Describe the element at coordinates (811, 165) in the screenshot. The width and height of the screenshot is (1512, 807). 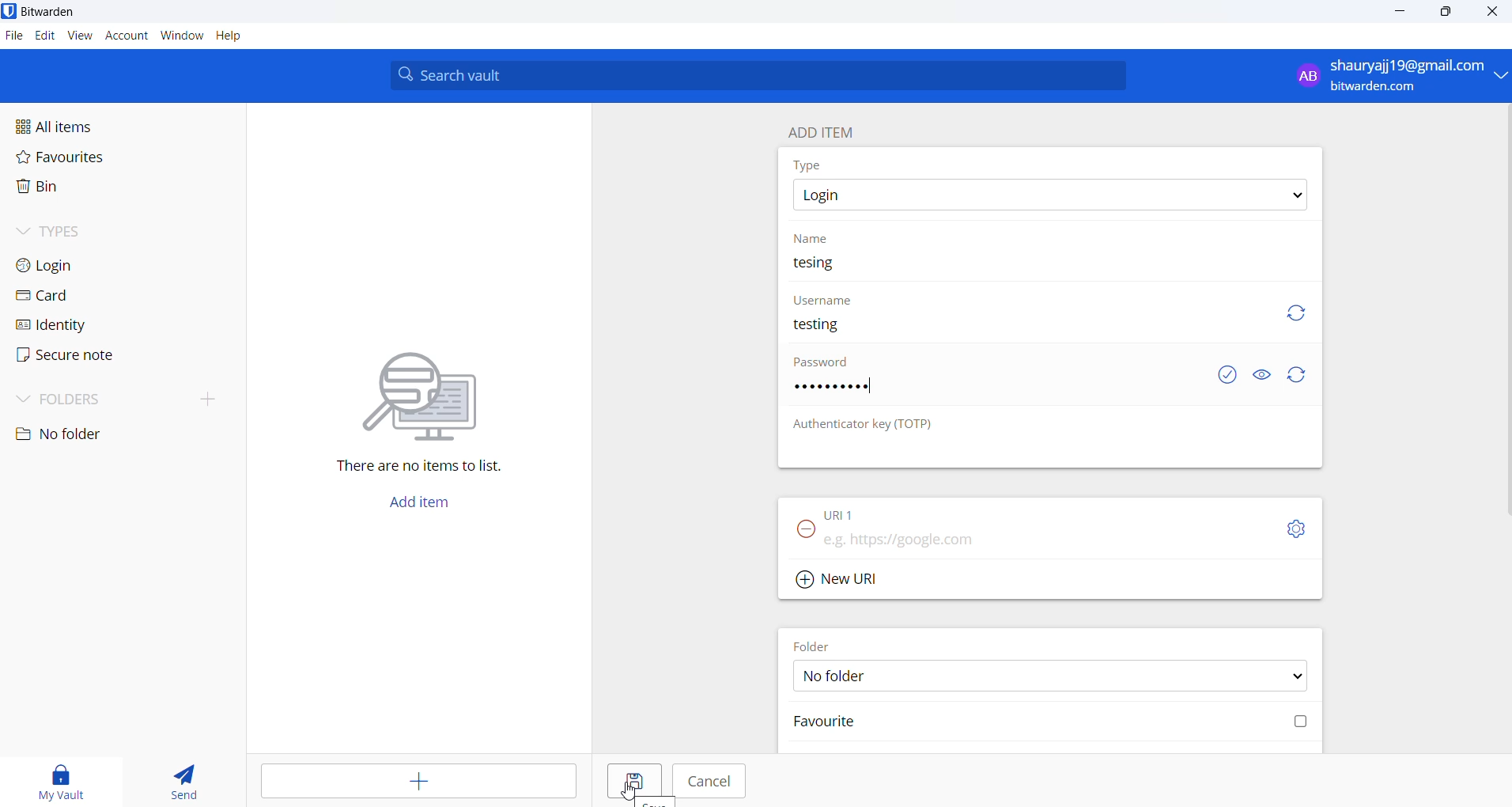
I see `Type` at that location.